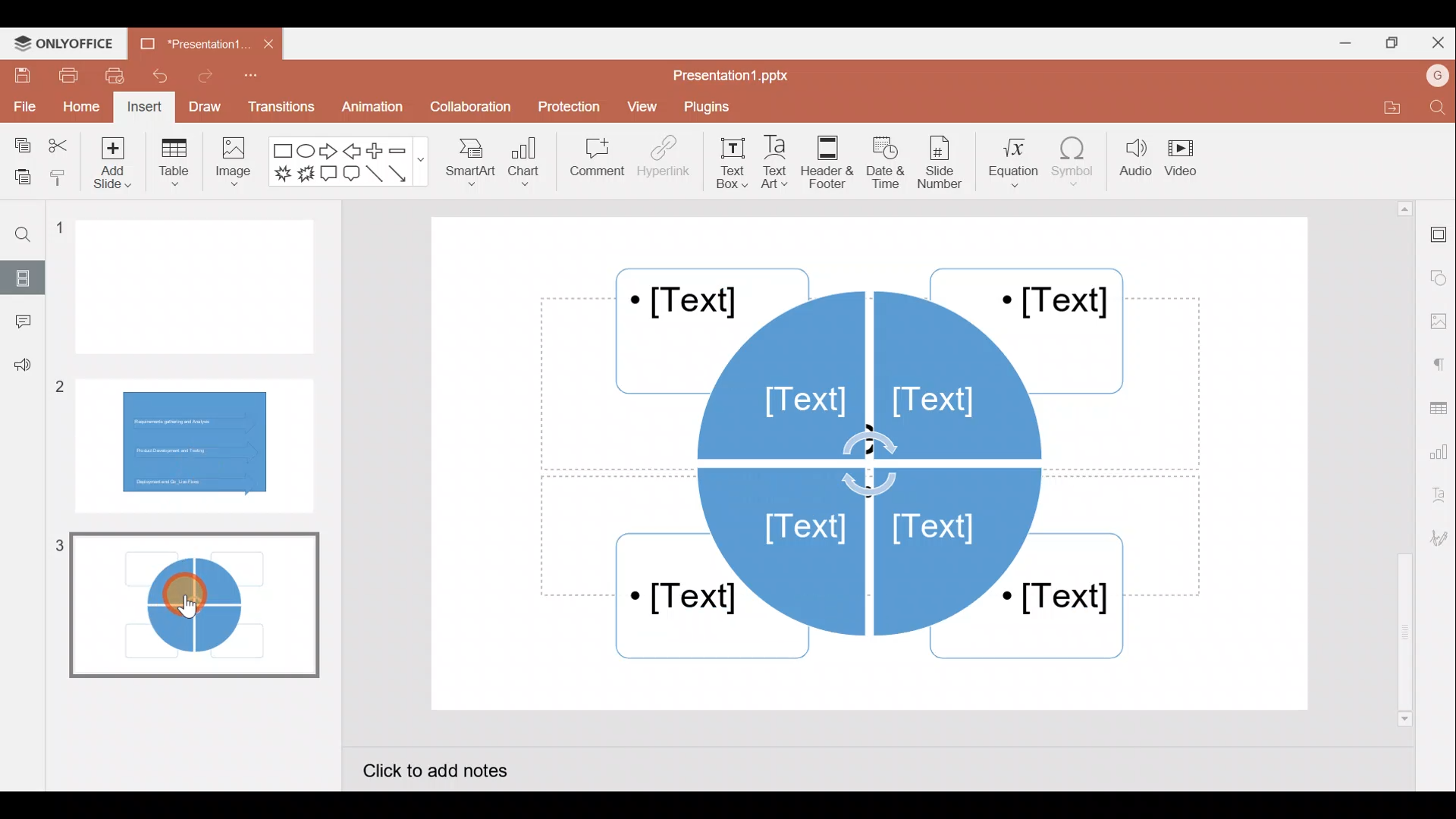 Image resolution: width=1456 pixels, height=819 pixels. I want to click on Plugins, so click(714, 108).